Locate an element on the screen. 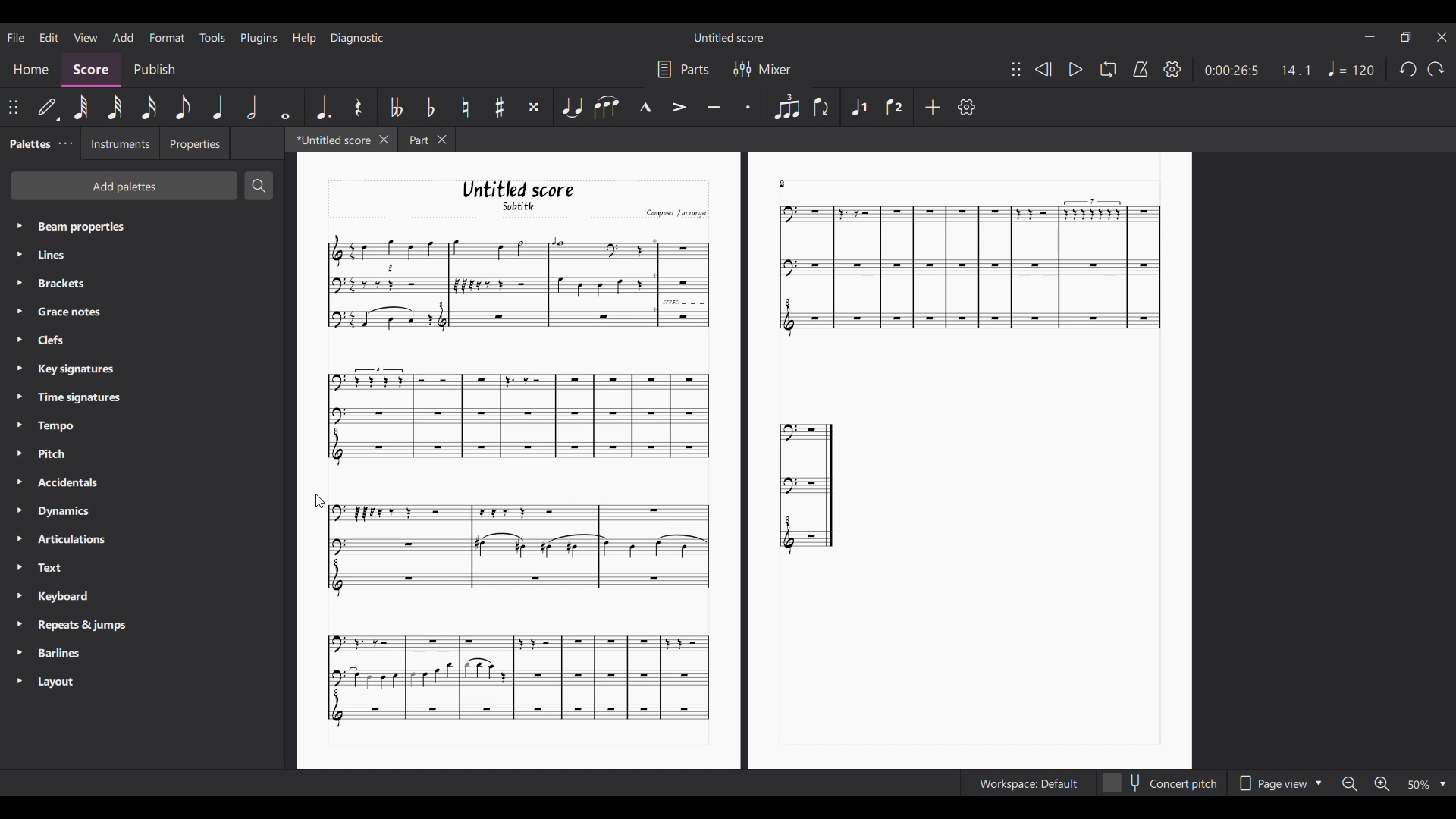  Properties  is located at coordinates (194, 143).